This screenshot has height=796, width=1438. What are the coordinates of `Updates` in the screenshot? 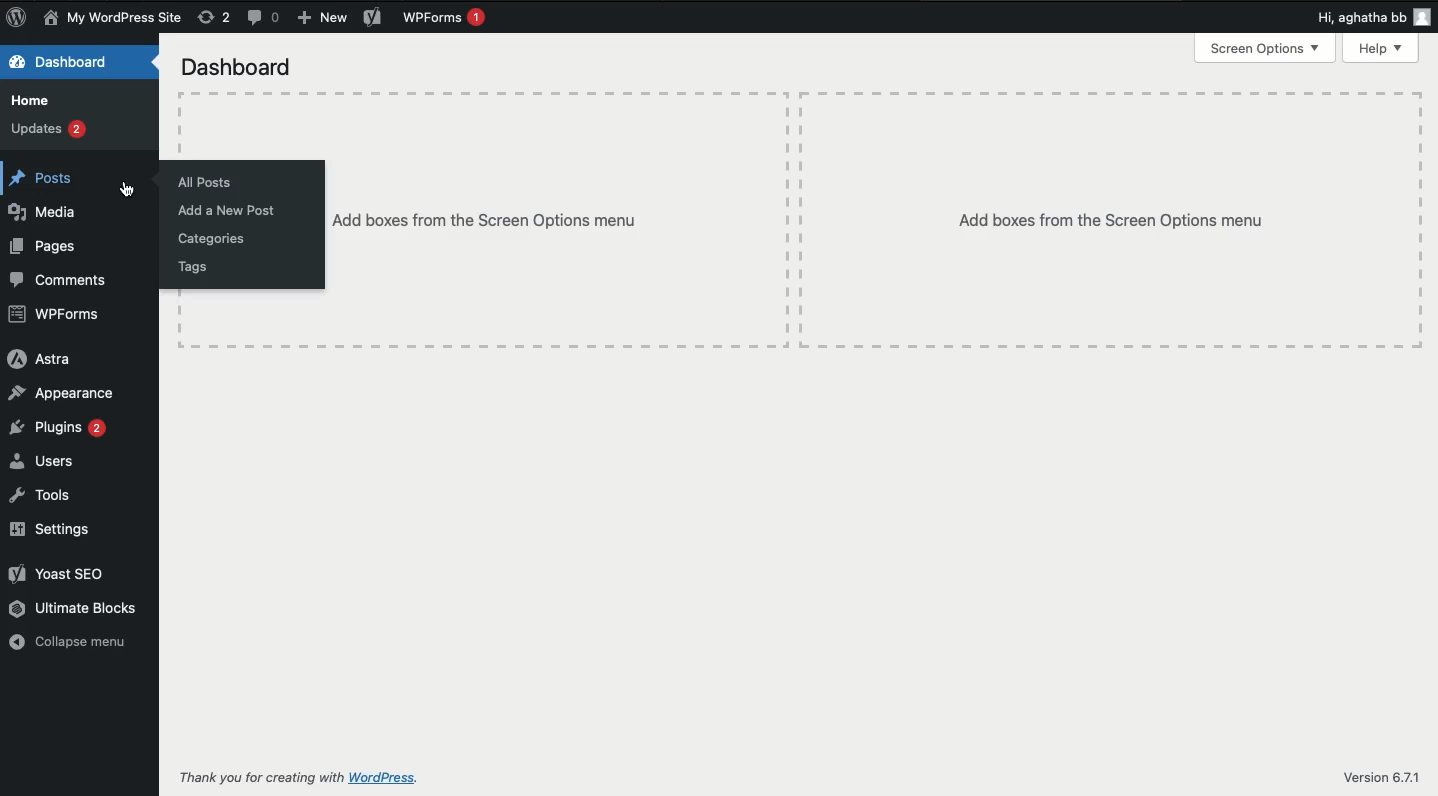 It's located at (49, 130).